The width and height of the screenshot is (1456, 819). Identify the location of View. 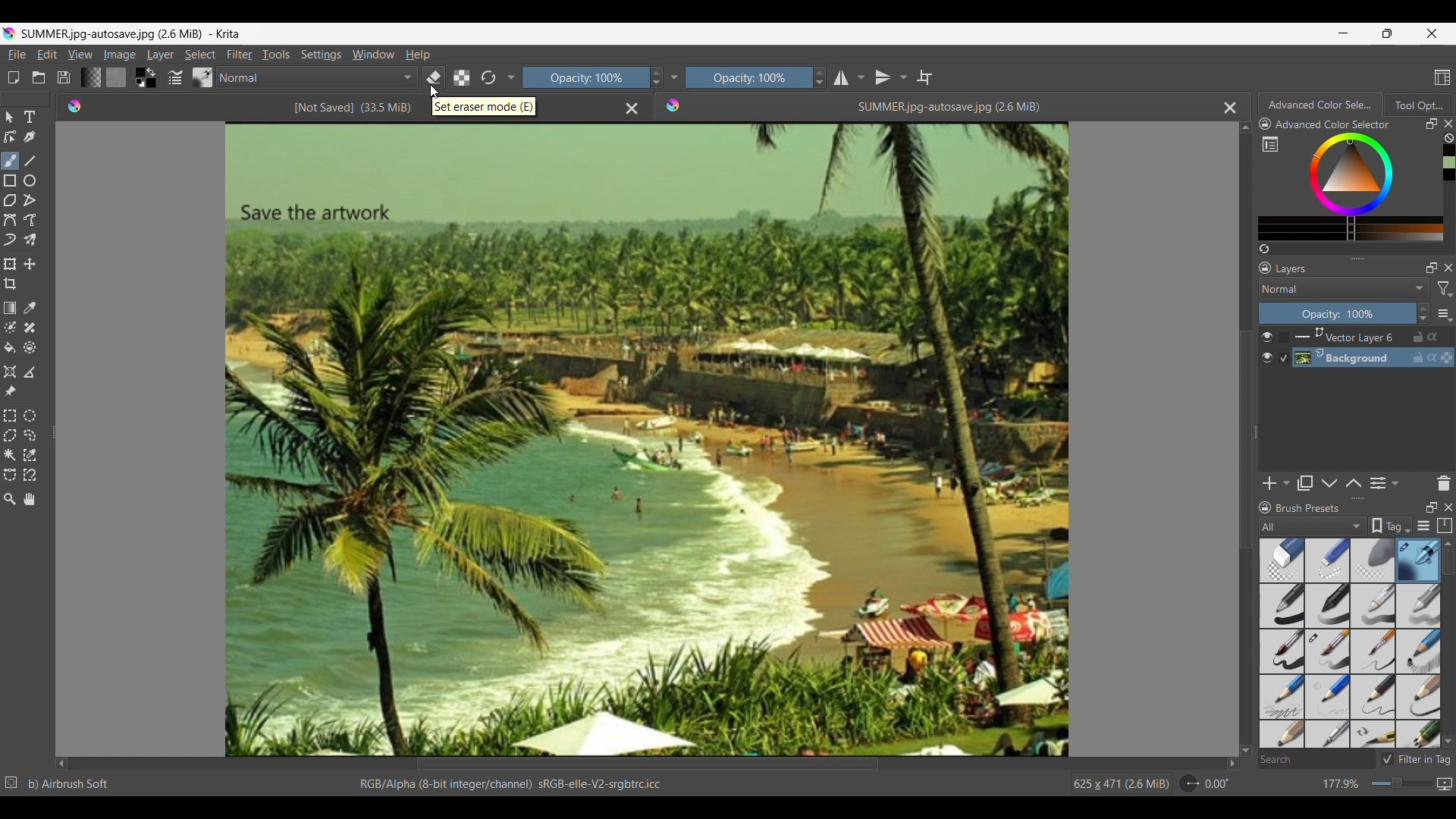
(81, 54).